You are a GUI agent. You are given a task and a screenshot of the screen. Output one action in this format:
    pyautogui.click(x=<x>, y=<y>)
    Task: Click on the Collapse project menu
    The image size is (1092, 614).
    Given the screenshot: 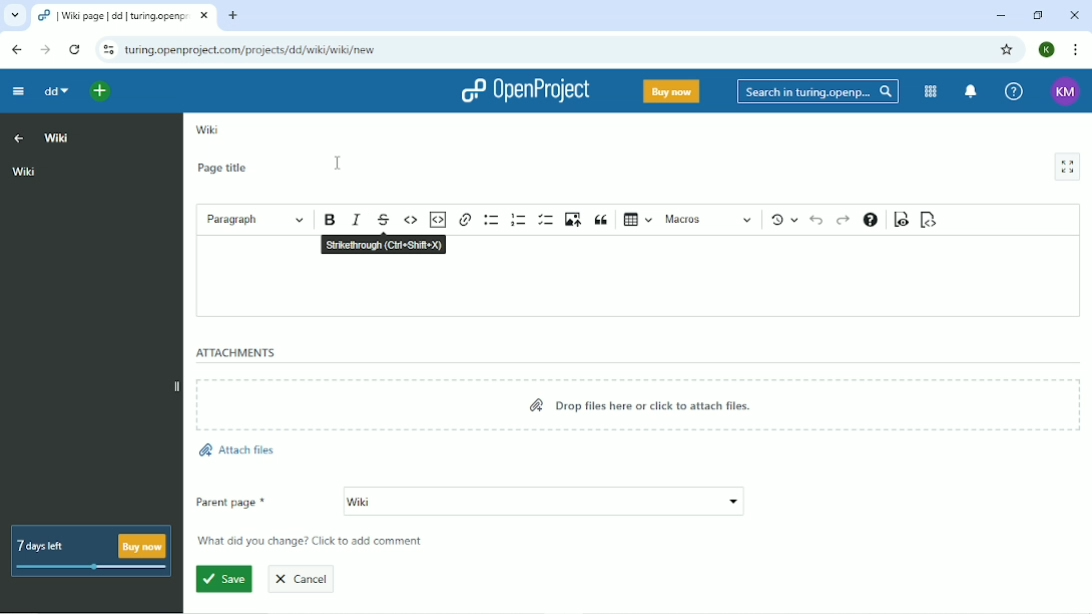 What is the action you would take?
    pyautogui.click(x=17, y=93)
    